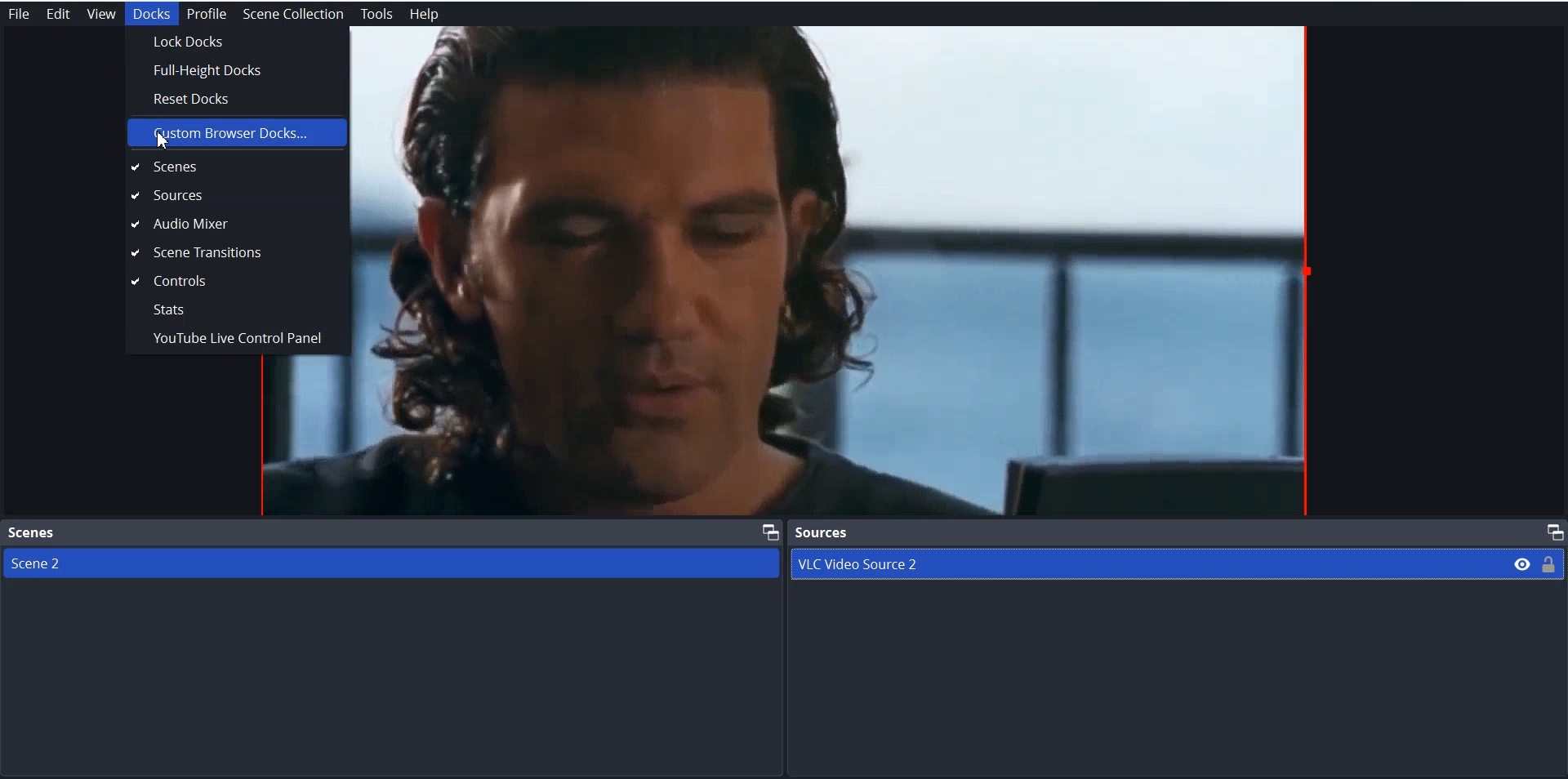  Describe the element at coordinates (151, 14) in the screenshot. I see `Docks` at that location.